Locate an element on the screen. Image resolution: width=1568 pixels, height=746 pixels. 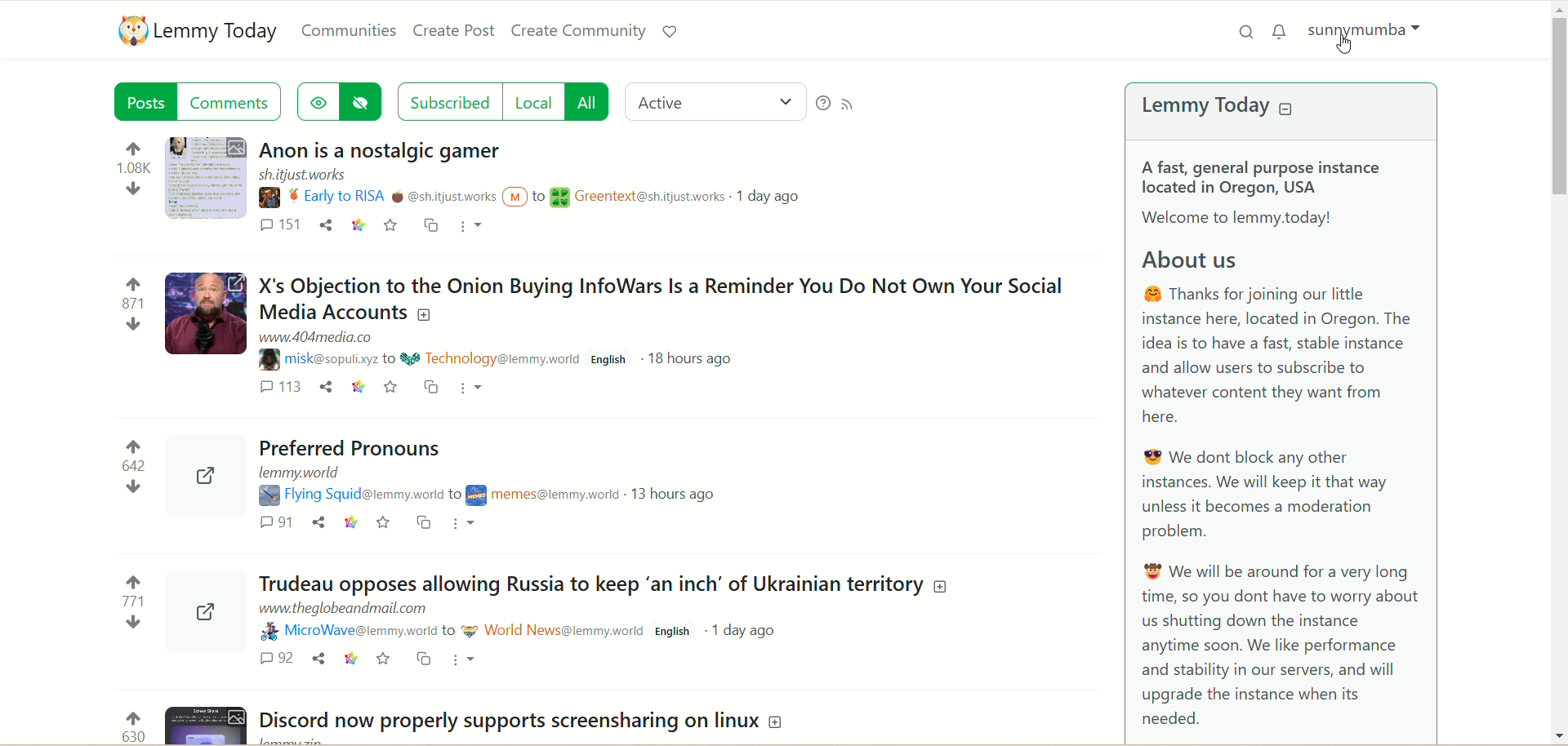
Votes is located at coordinates (129, 170).